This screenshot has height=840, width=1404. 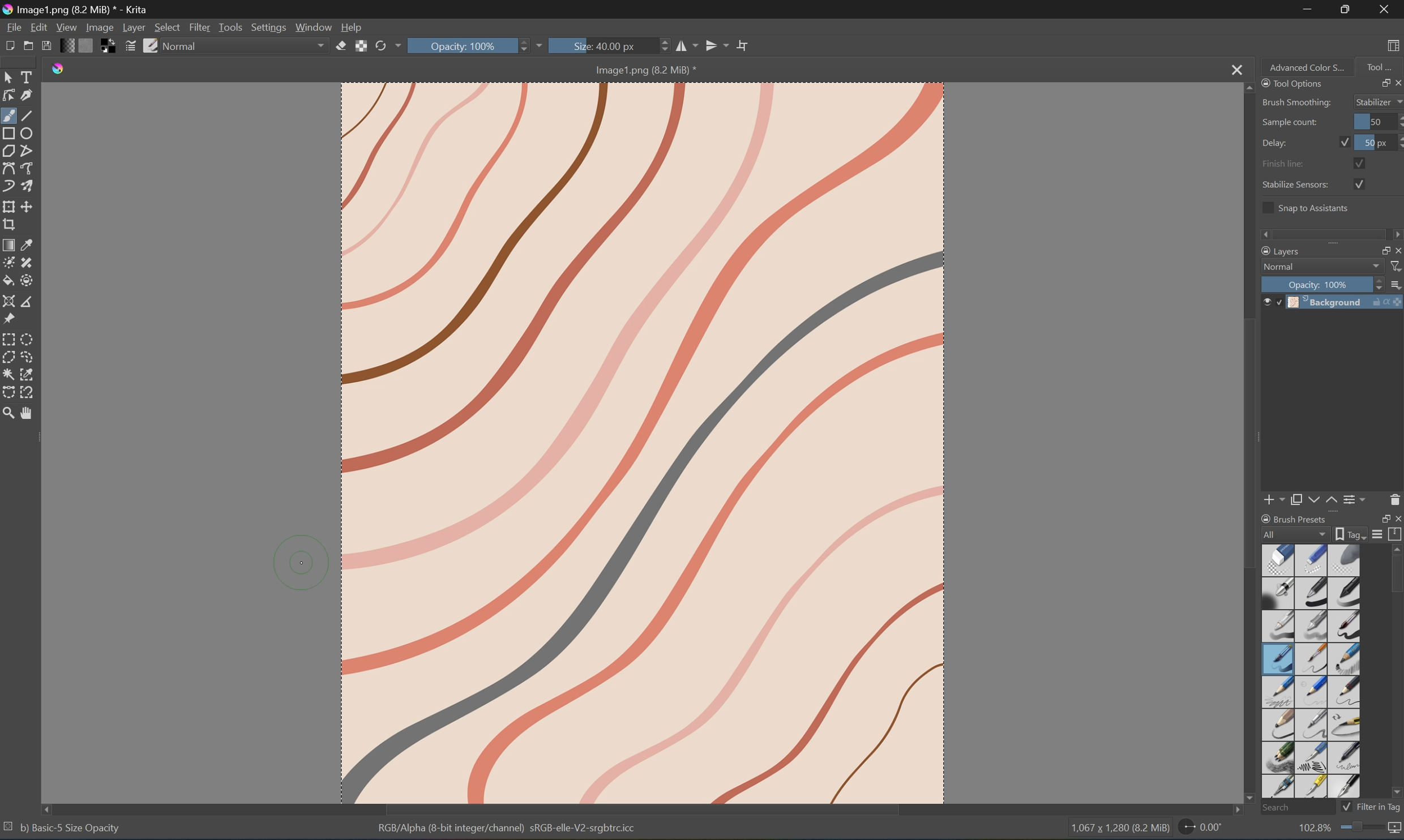 What do you see at coordinates (1395, 119) in the screenshot?
I see `Slider` at bounding box center [1395, 119].